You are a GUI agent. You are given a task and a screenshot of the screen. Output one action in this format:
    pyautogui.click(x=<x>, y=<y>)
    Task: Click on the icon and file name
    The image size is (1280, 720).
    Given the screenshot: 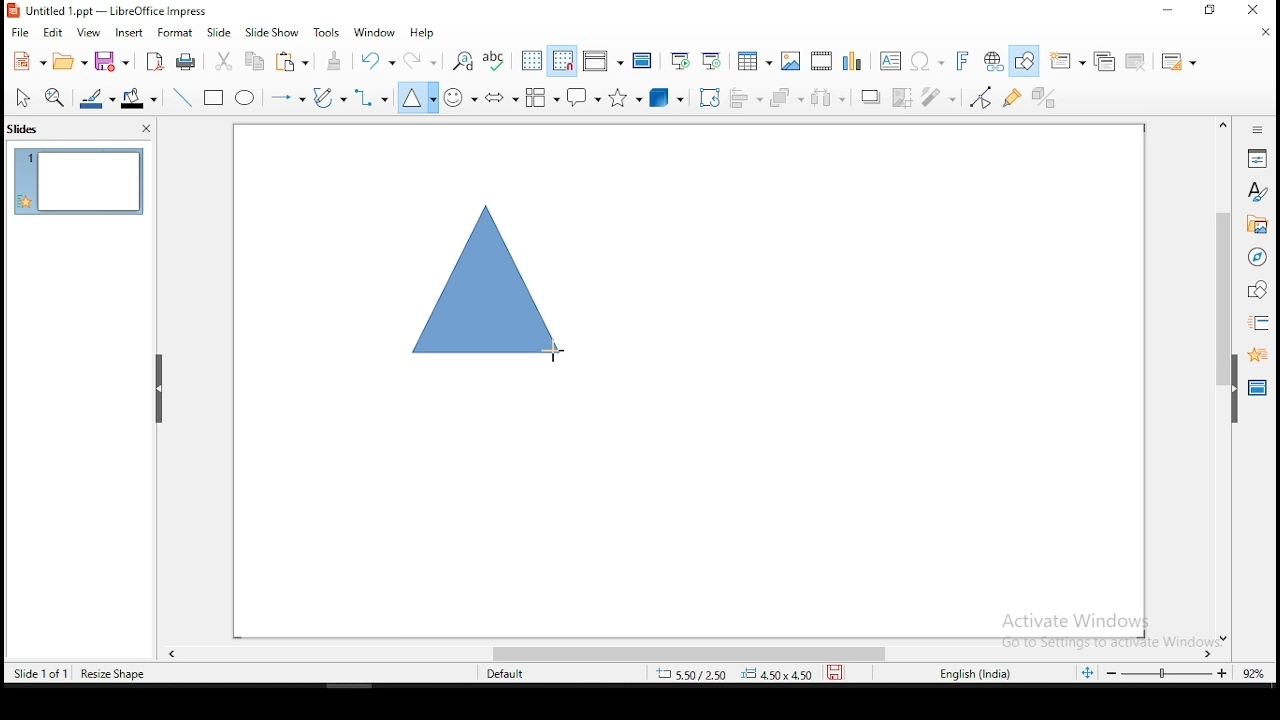 What is the action you would take?
    pyautogui.click(x=111, y=11)
    